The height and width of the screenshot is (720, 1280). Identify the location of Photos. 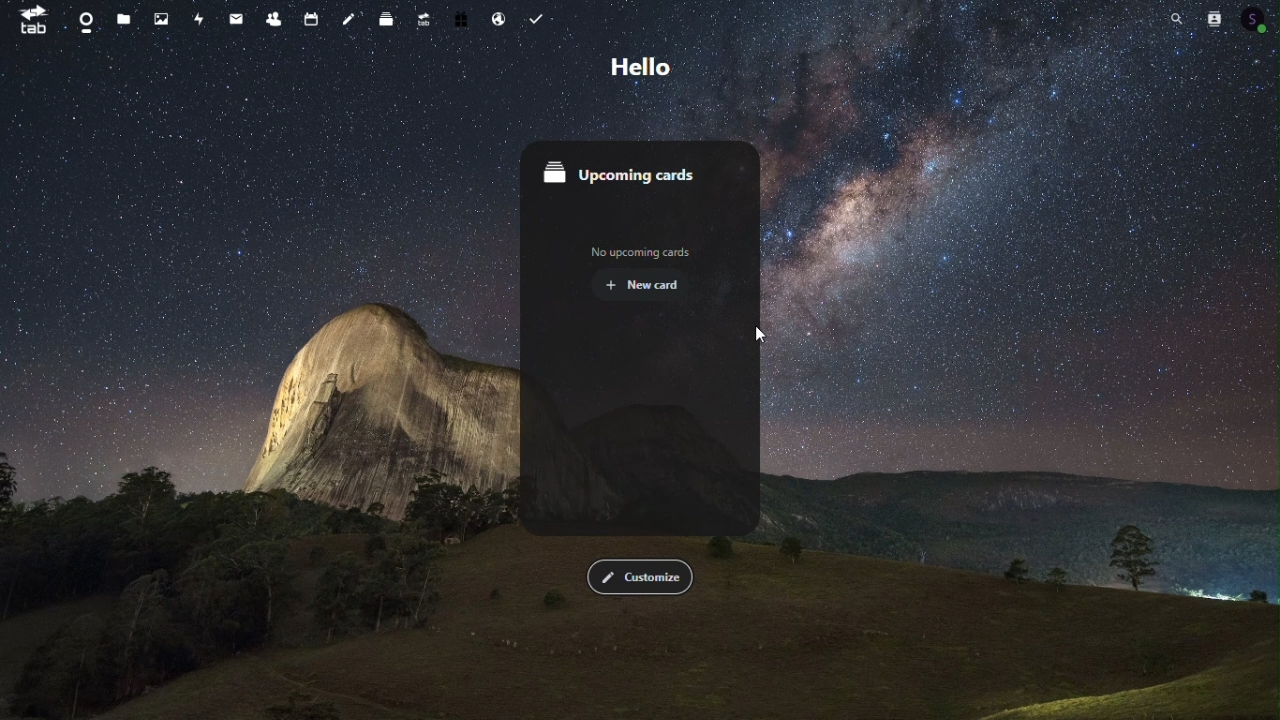
(163, 18).